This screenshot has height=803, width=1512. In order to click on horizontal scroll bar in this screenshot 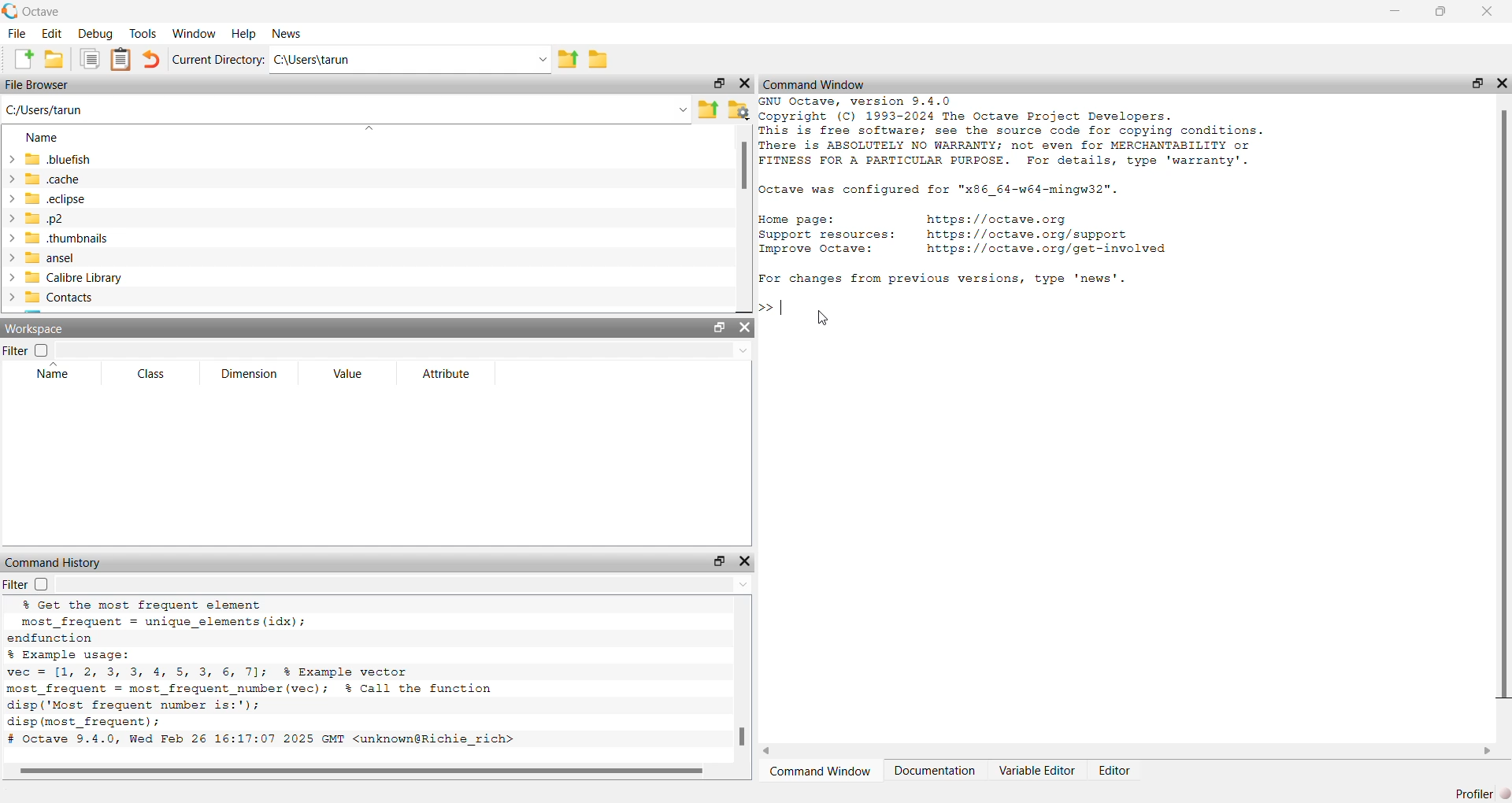, I will do `click(1127, 751)`.